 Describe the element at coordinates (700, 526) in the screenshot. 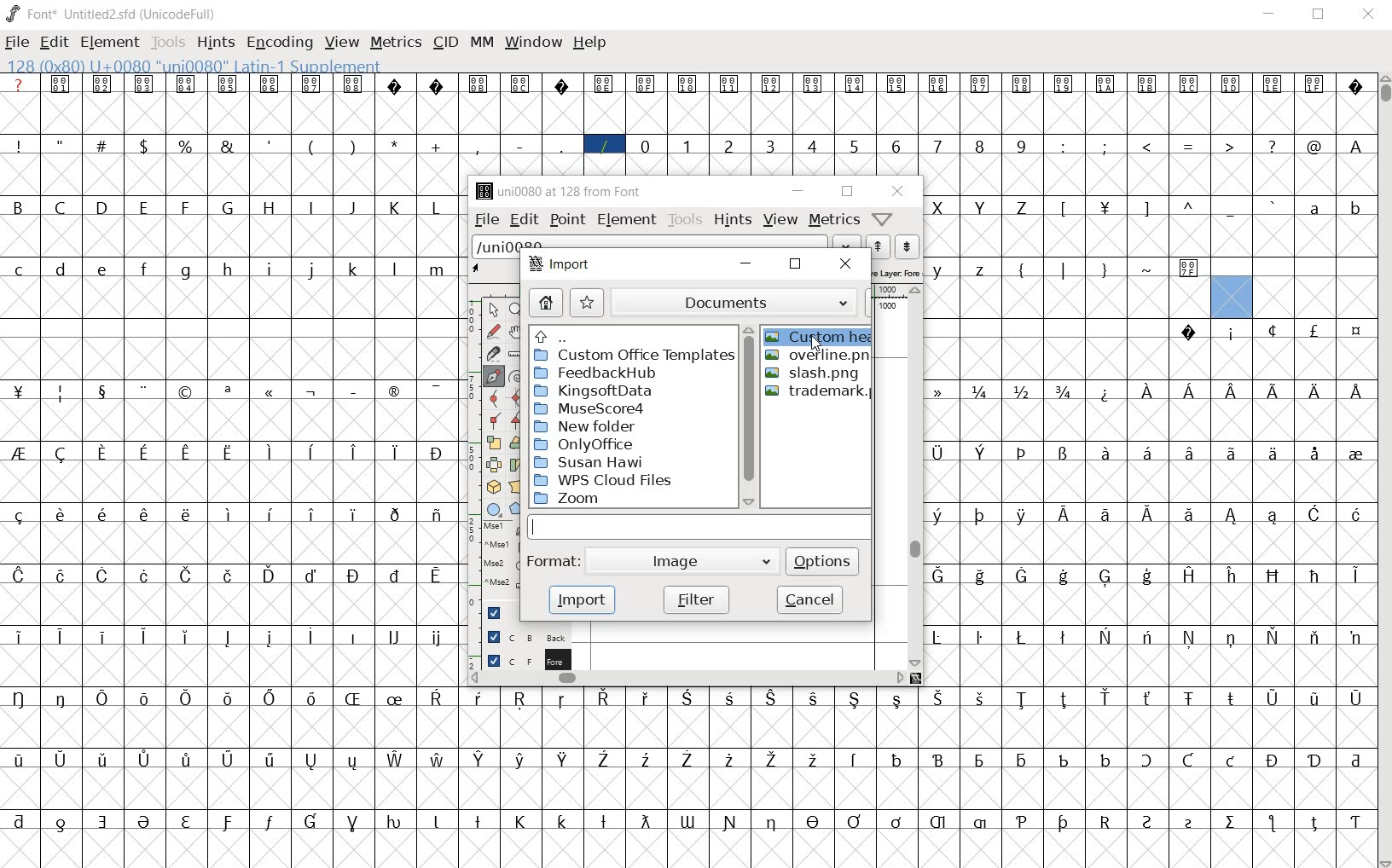

I see `input field` at that location.